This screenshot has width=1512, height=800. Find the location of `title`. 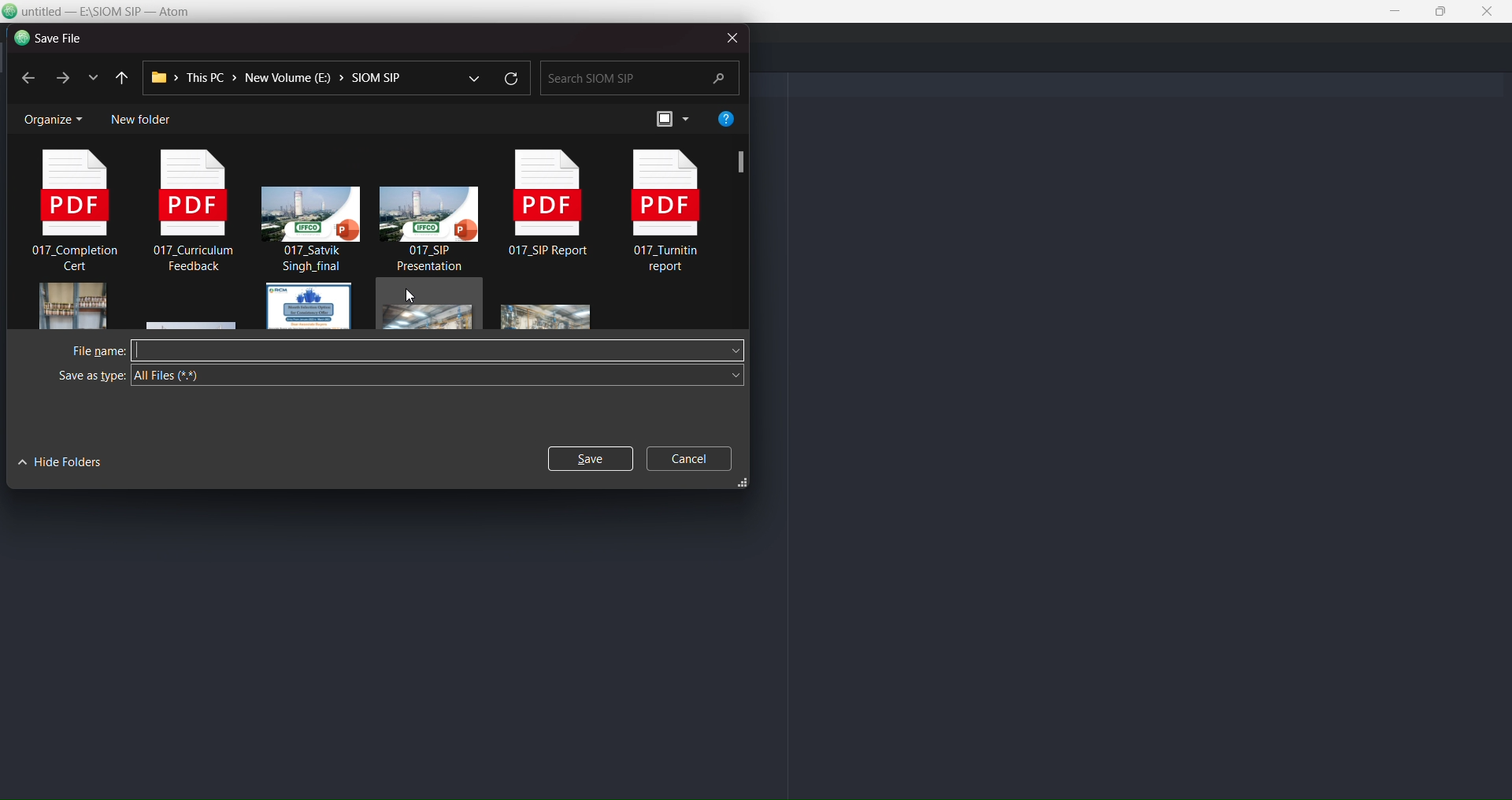

title is located at coordinates (109, 13).